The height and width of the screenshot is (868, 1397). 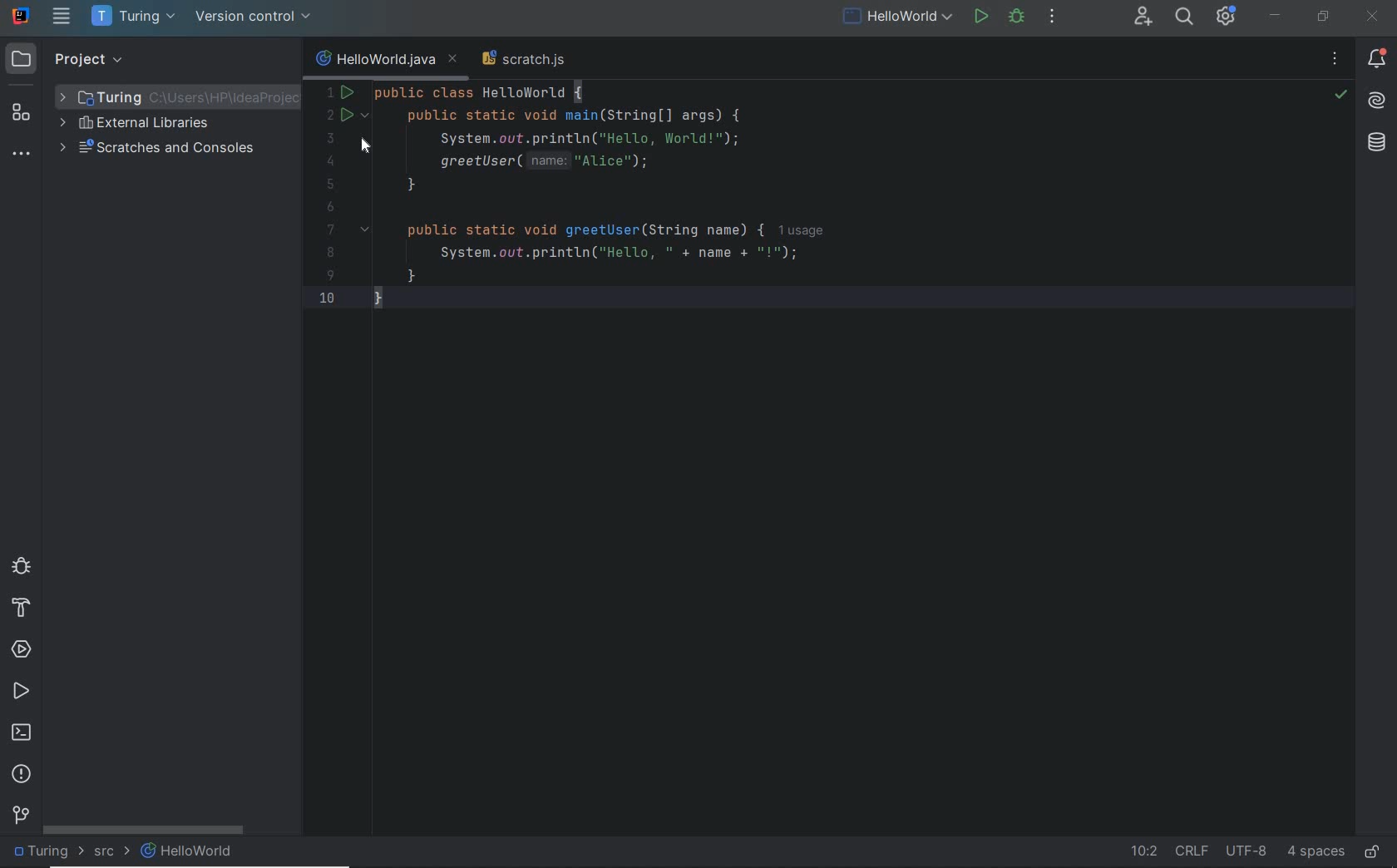 I want to click on code with me, so click(x=1142, y=17).